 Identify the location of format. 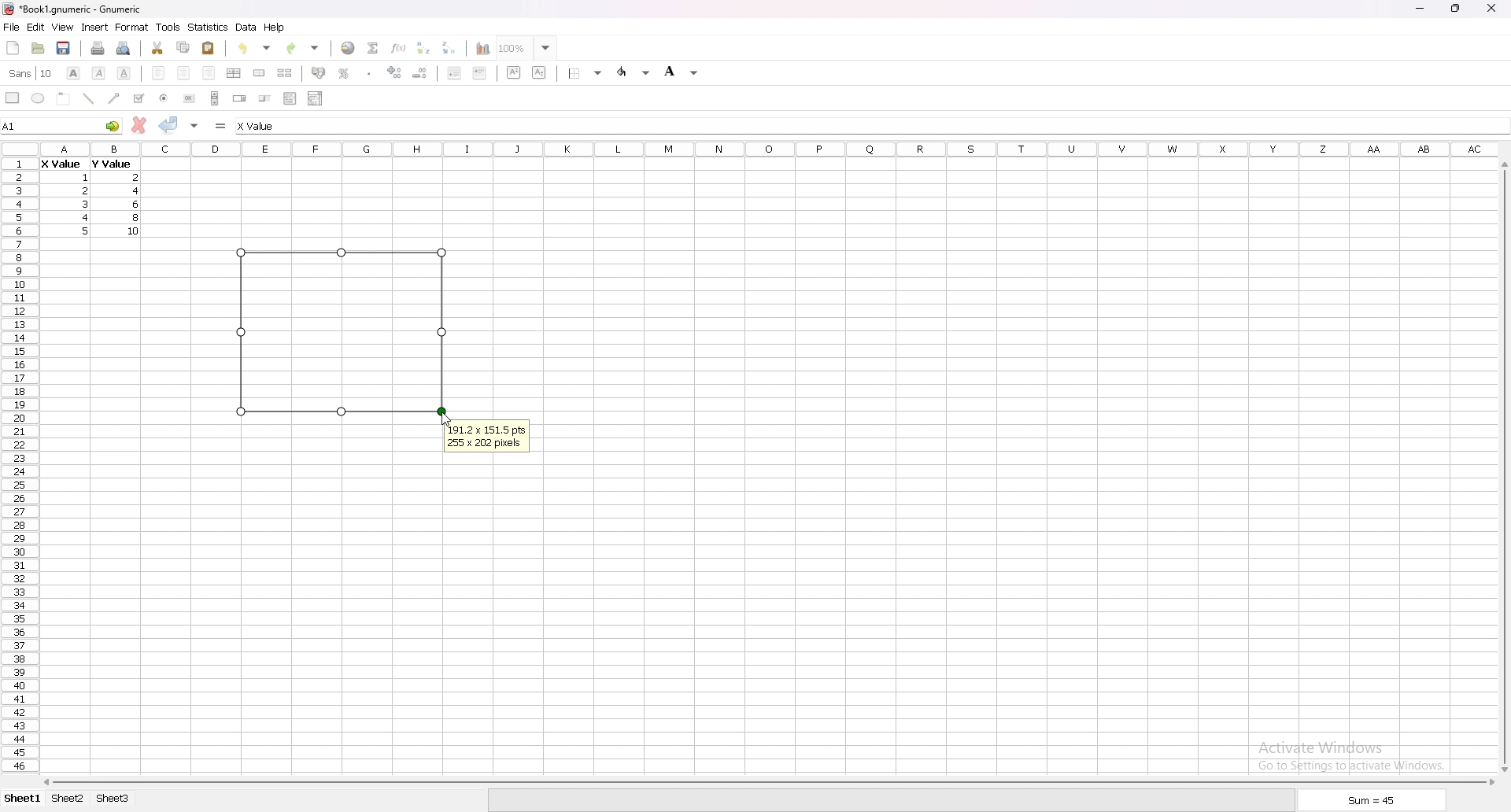
(132, 27).